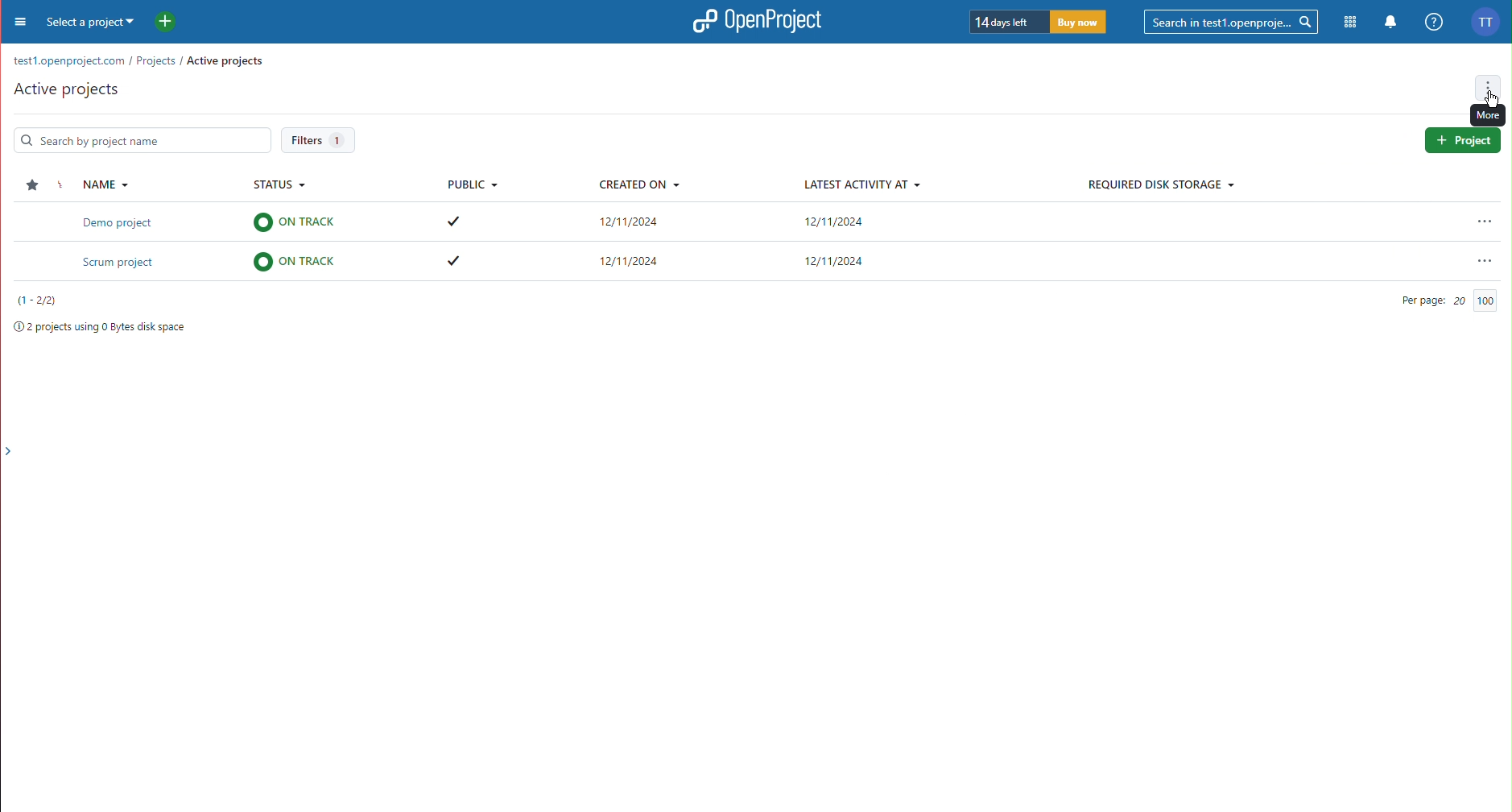 This screenshot has height=812, width=1512. What do you see at coordinates (40, 300) in the screenshot?
I see `Projects number` at bounding box center [40, 300].